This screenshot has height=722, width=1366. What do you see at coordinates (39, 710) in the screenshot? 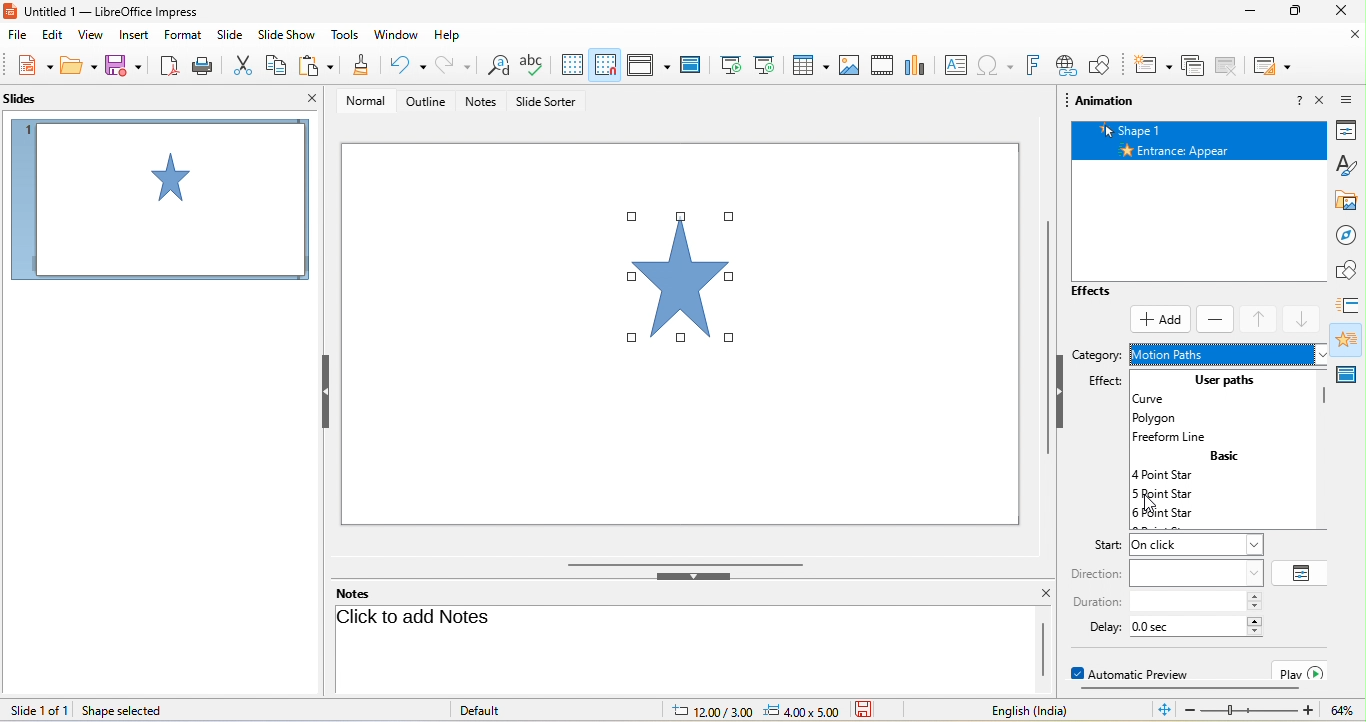
I see `slide 1 of 1` at bounding box center [39, 710].